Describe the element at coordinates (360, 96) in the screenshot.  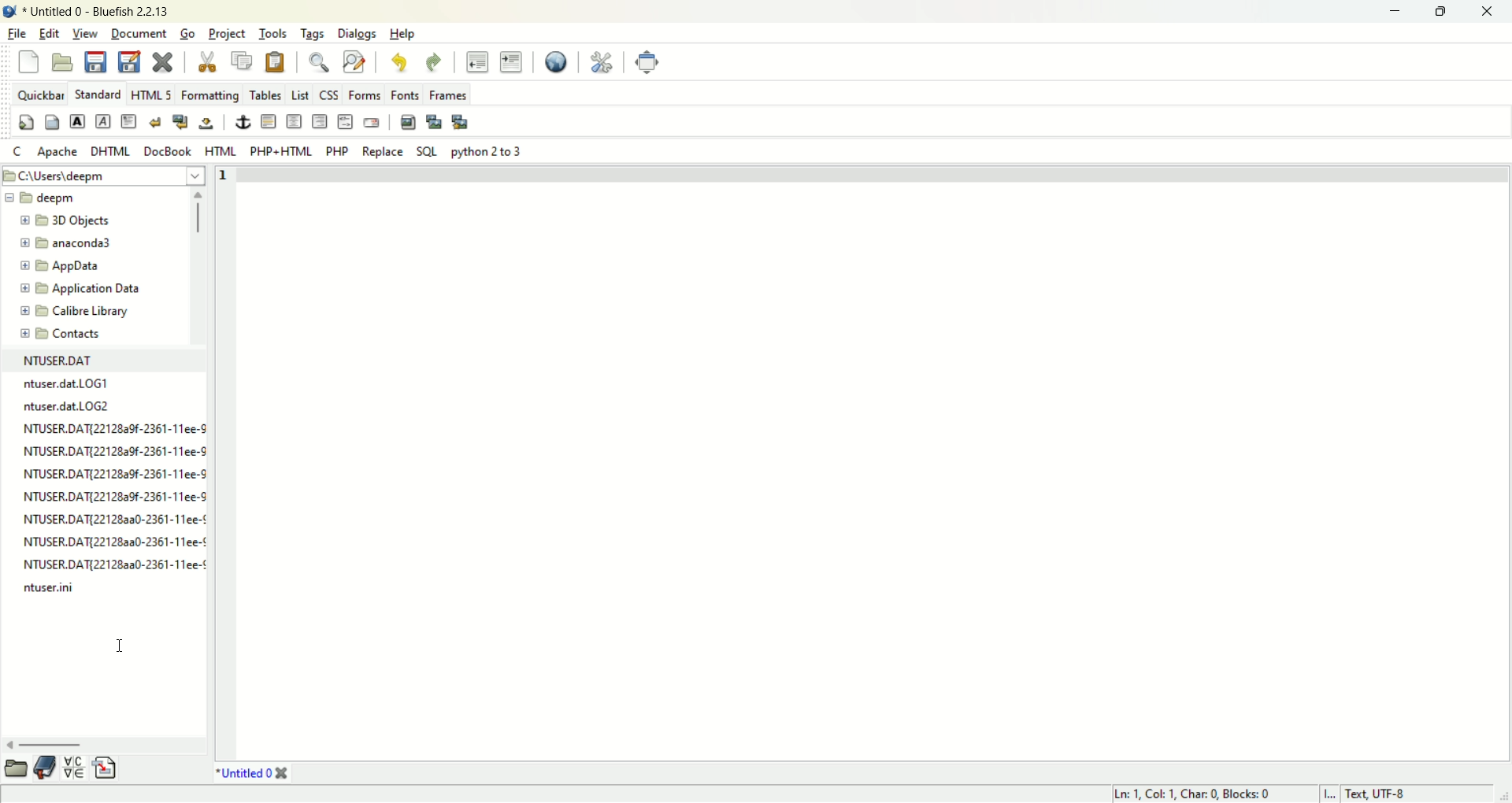
I see `forms` at that location.